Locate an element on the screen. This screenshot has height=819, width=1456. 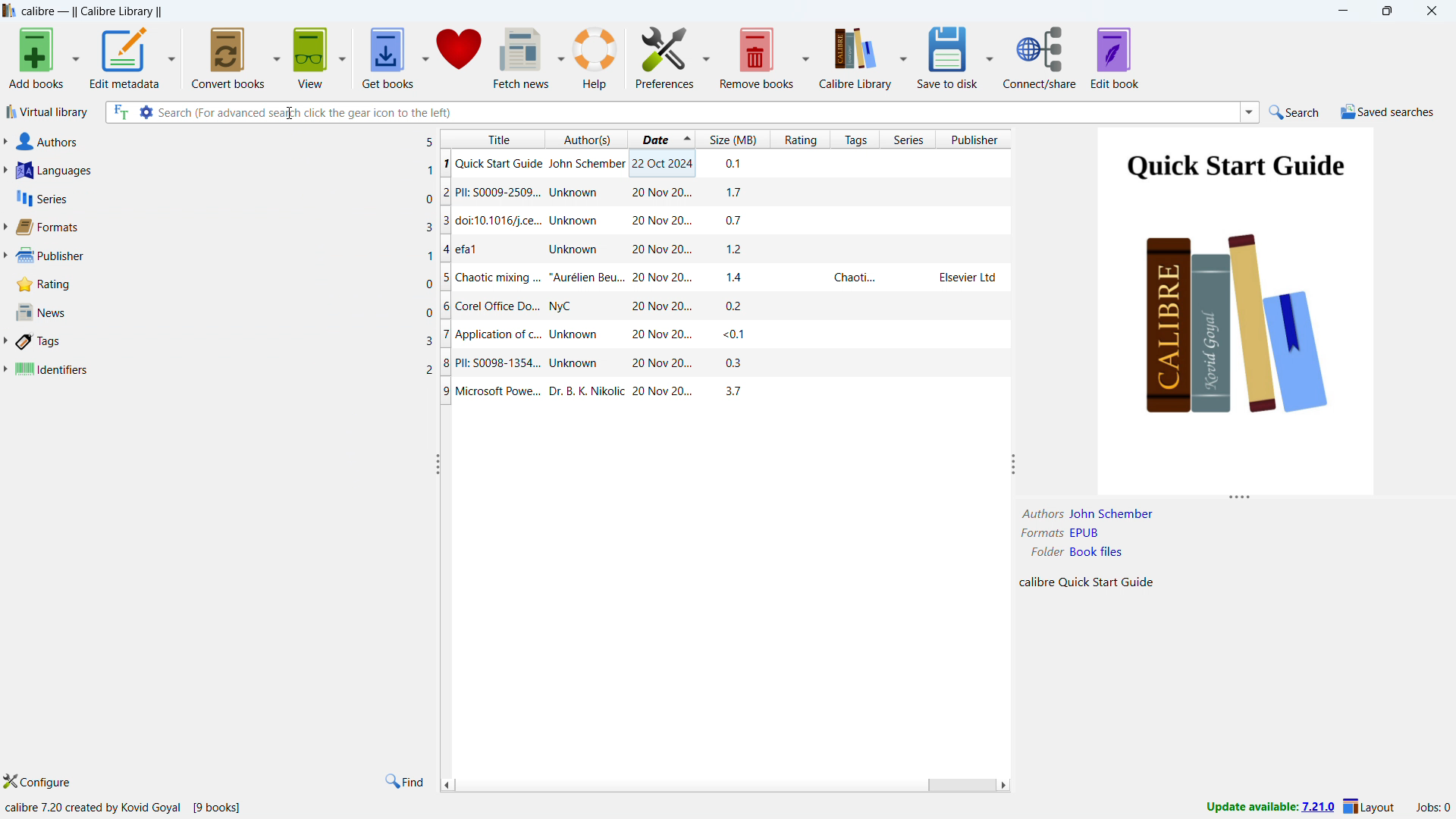
view is located at coordinates (312, 57).